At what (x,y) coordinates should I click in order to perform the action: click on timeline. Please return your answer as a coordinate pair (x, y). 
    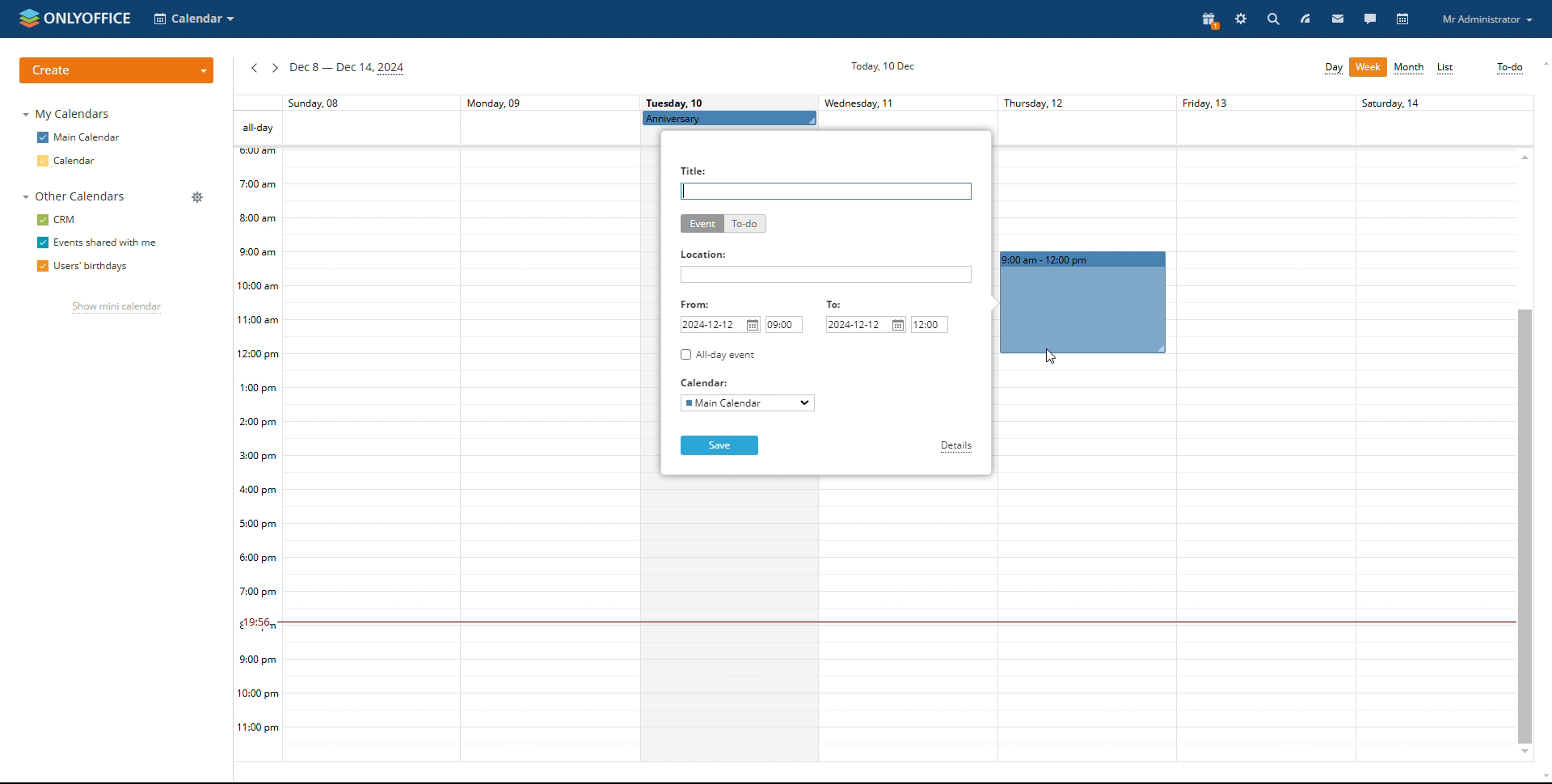
    Looking at the image, I should click on (258, 455).